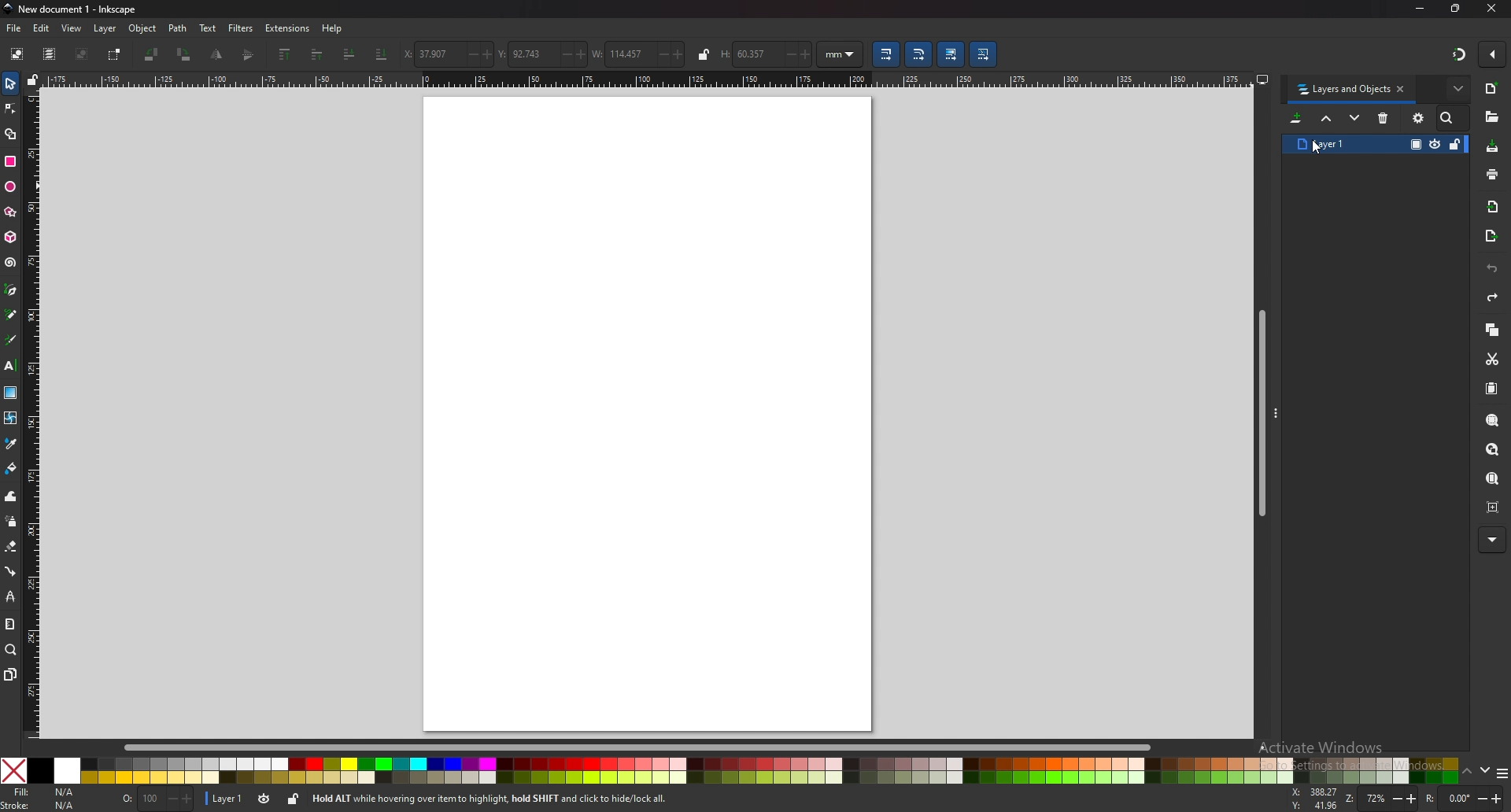  Describe the element at coordinates (14, 29) in the screenshot. I see `file` at that location.